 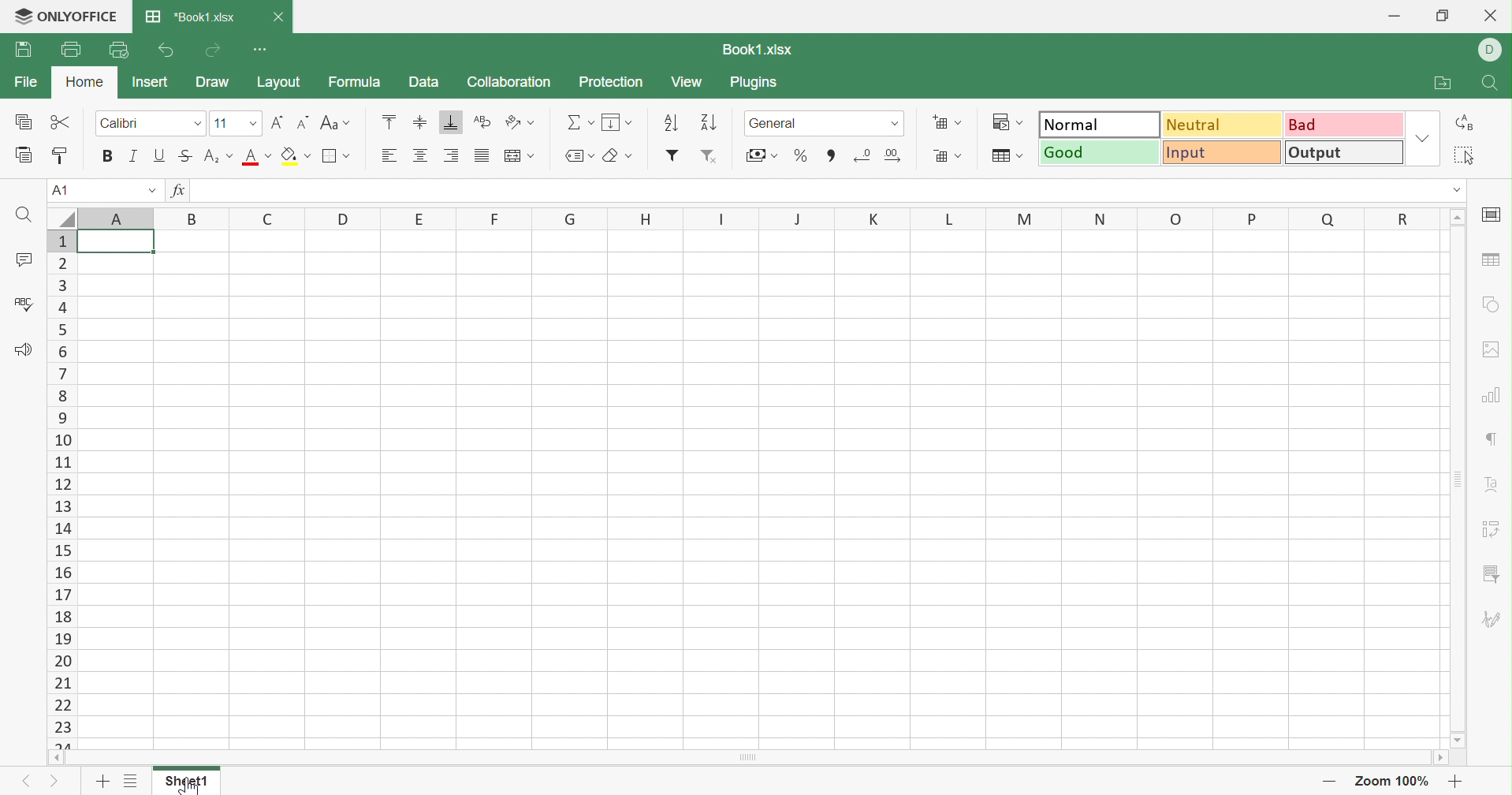 I want to click on Cut, so click(x=63, y=121).